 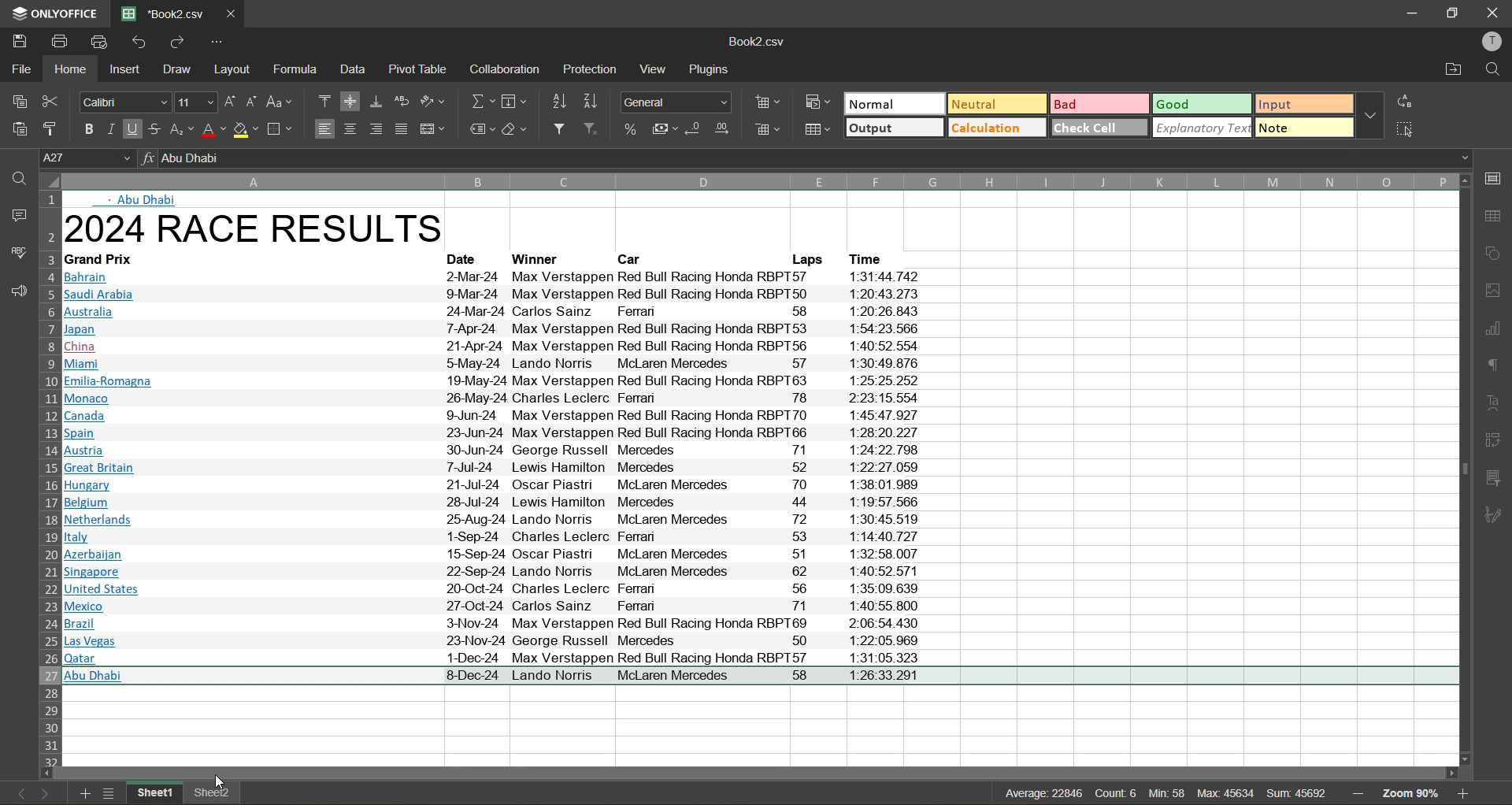 What do you see at coordinates (663, 129) in the screenshot?
I see `accounting` at bounding box center [663, 129].